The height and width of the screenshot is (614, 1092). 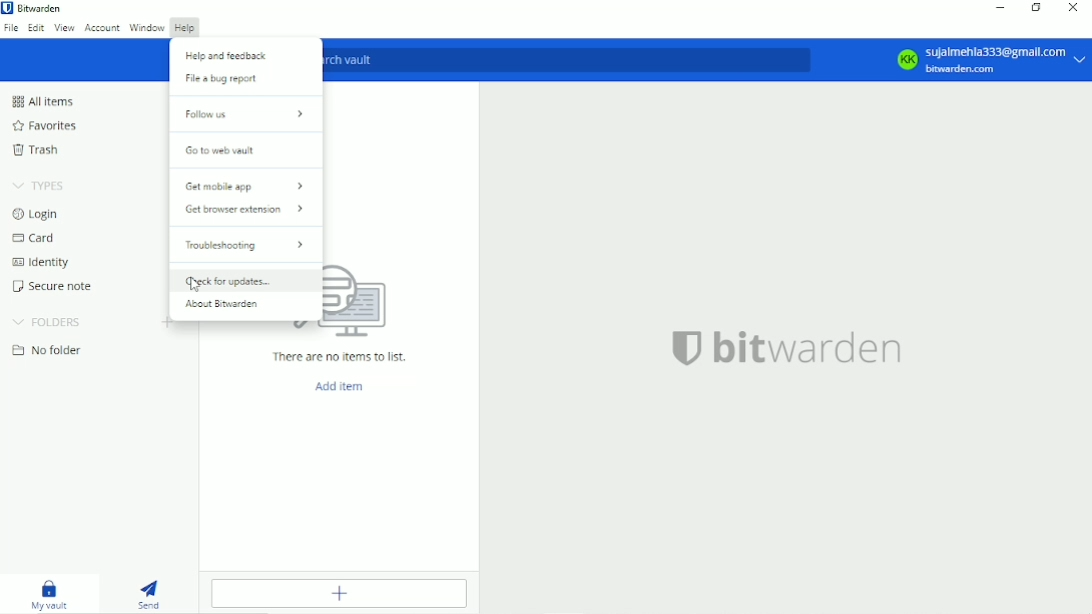 What do you see at coordinates (574, 60) in the screenshot?
I see `Search vault` at bounding box center [574, 60].